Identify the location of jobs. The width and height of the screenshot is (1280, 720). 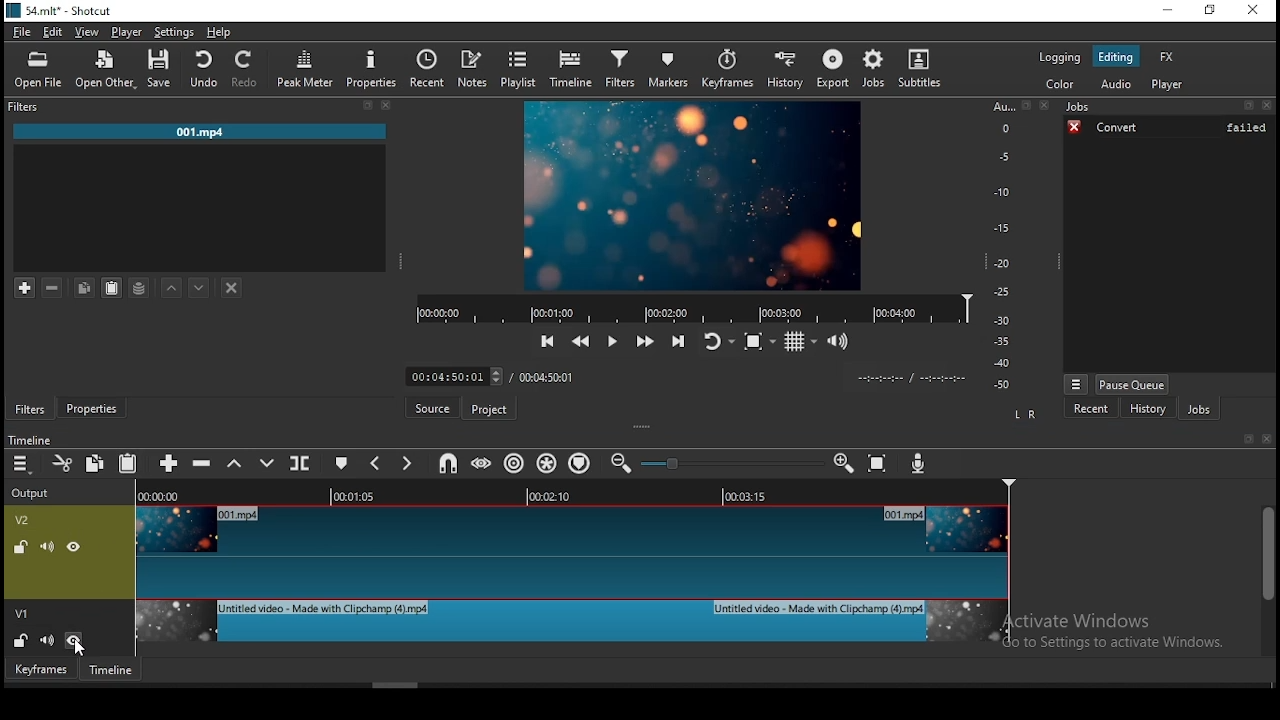
(1168, 108).